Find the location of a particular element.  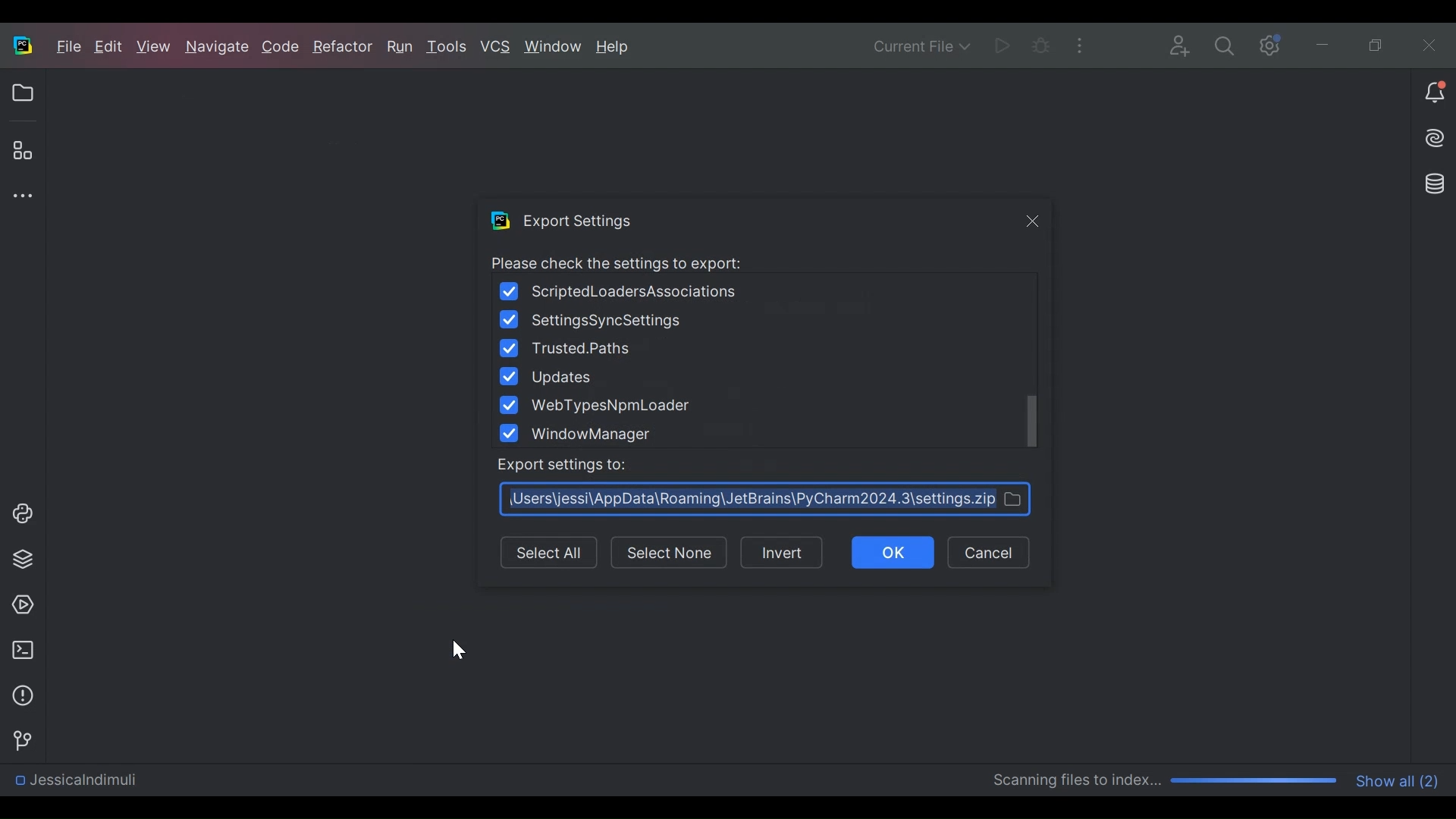

Settings is located at coordinates (1266, 44).